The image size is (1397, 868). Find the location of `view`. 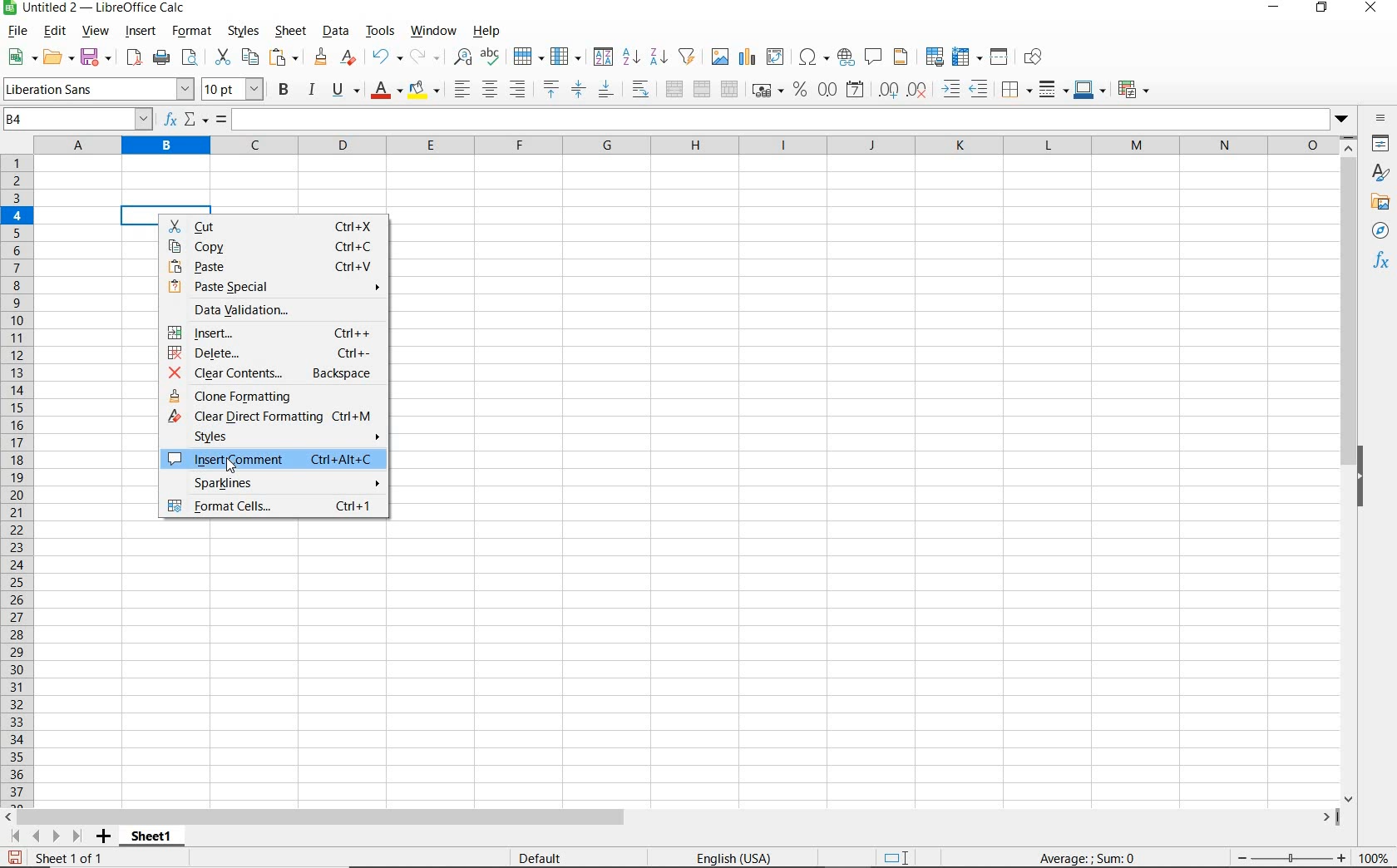

view is located at coordinates (96, 33).